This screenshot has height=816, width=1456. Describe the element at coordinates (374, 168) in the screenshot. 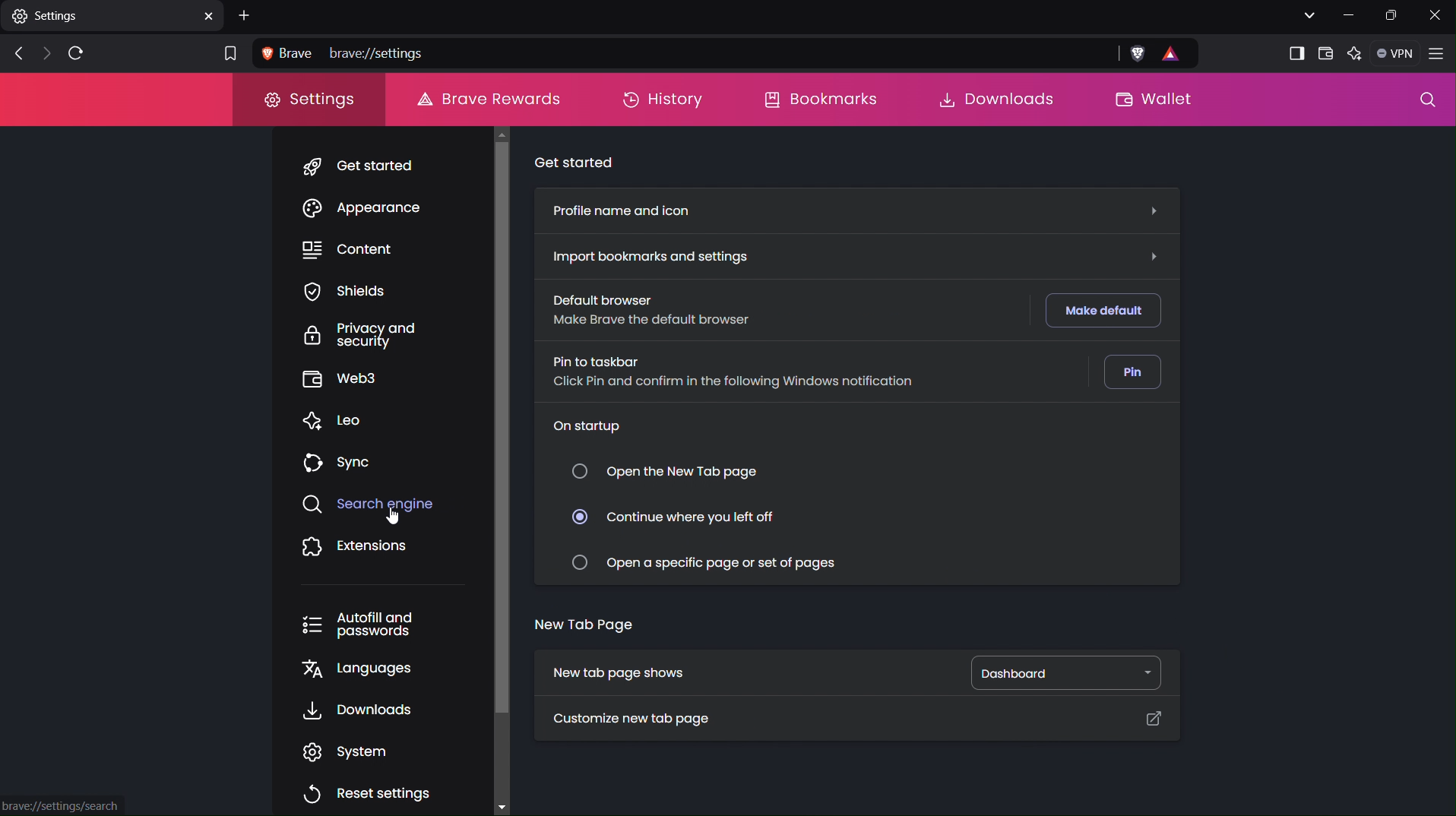

I see `Get Started` at that location.